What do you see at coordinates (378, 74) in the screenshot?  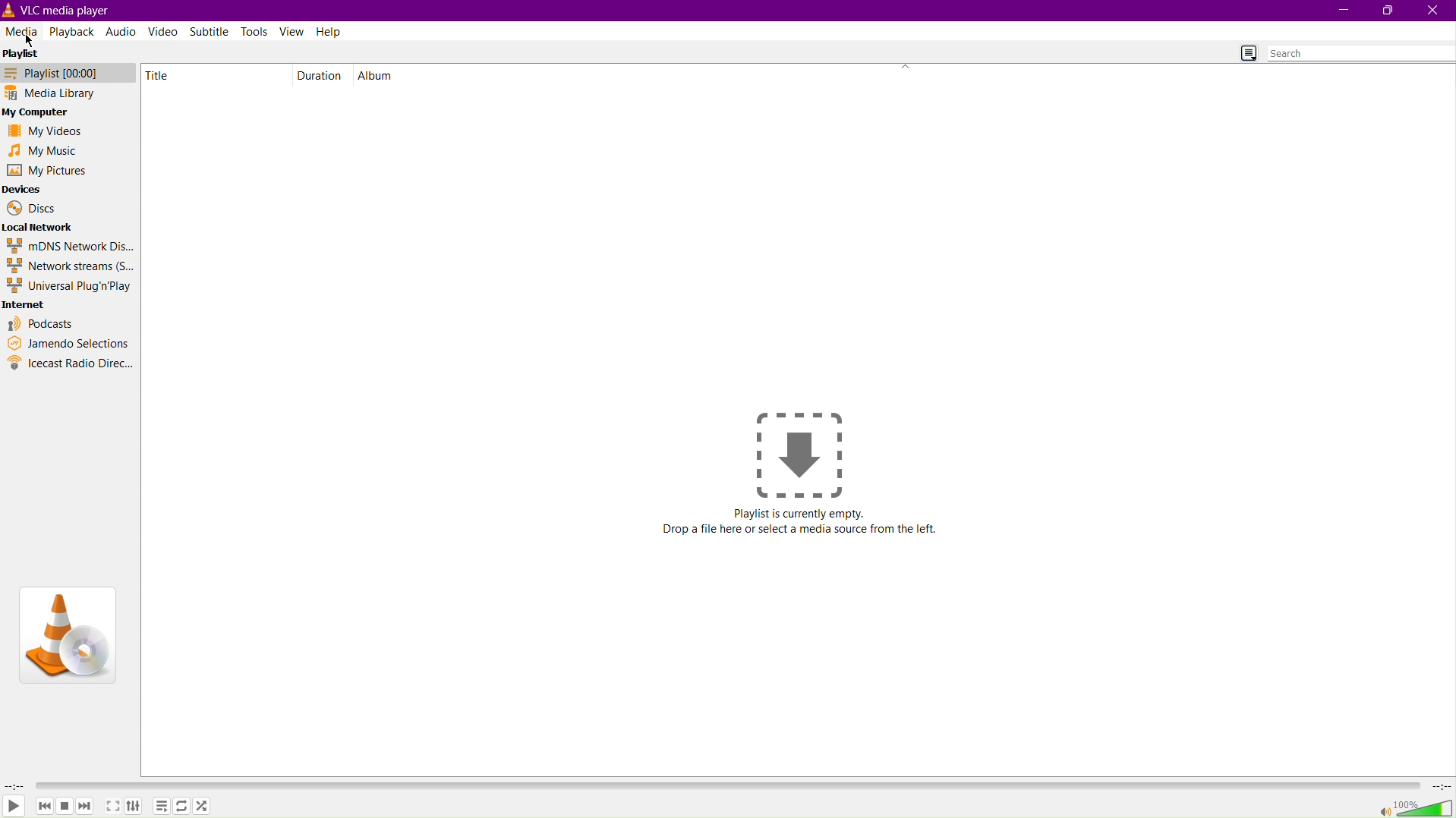 I see `Album` at bounding box center [378, 74].